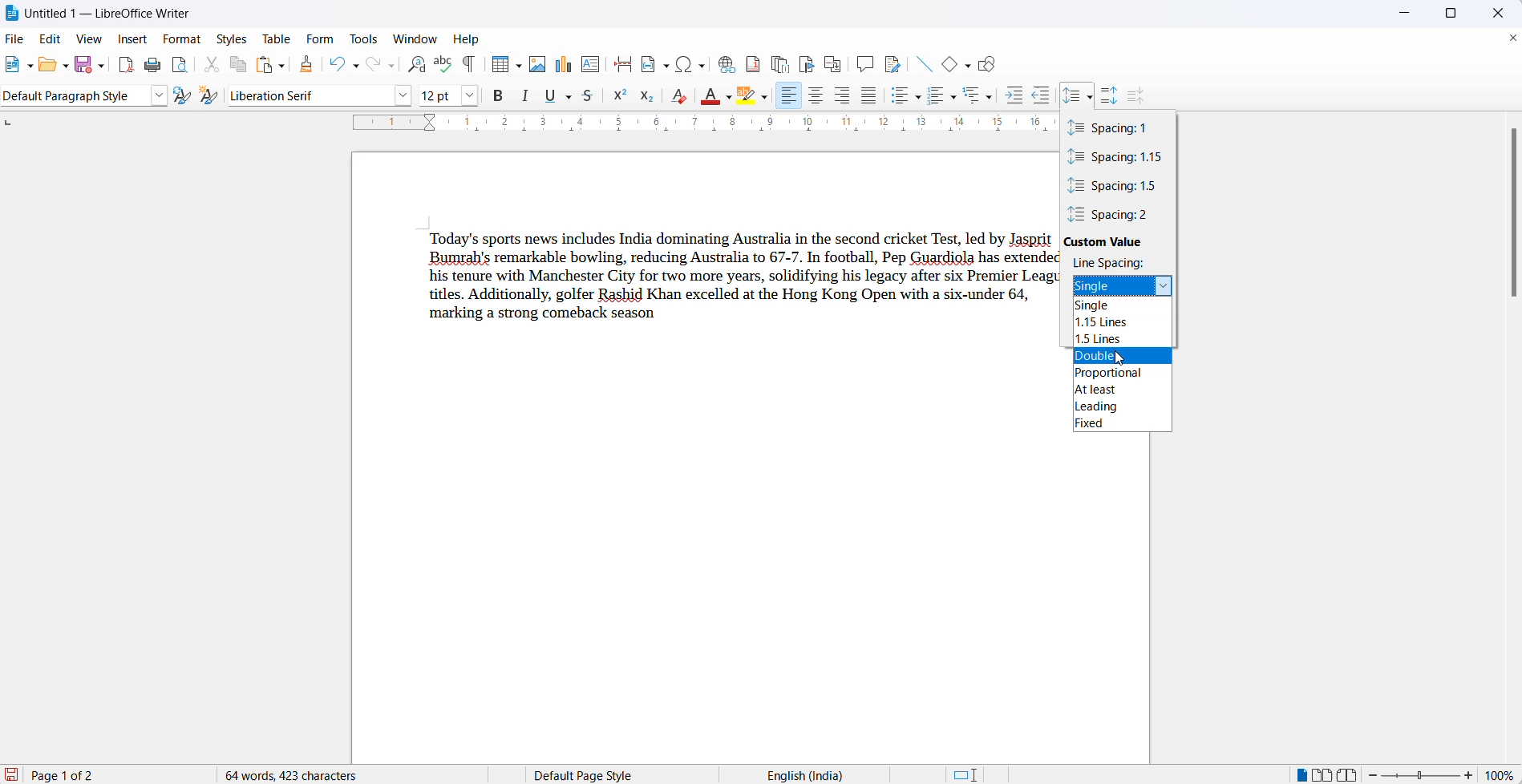  Describe the element at coordinates (1298, 774) in the screenshot. I see `single page view` at that location.